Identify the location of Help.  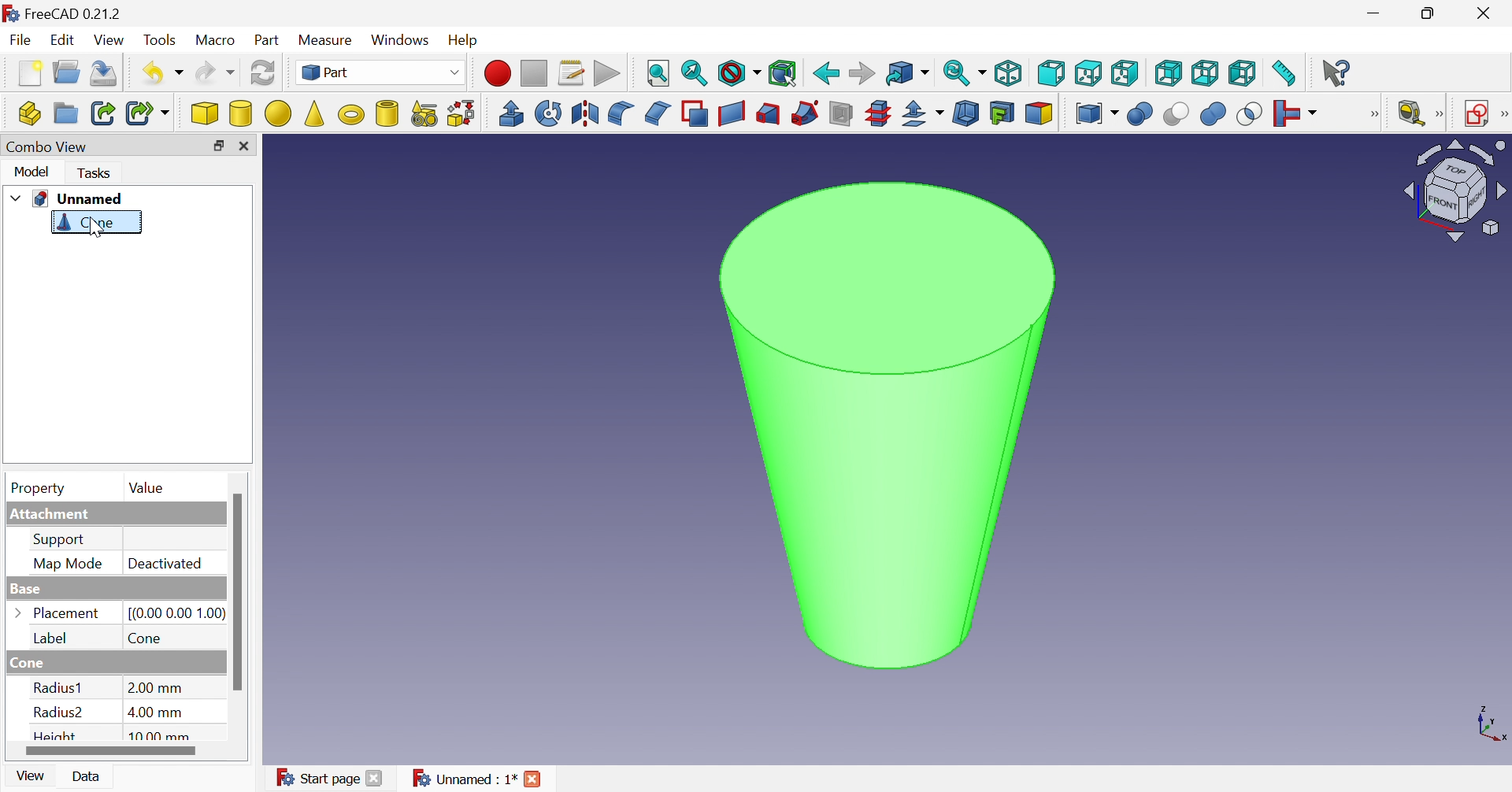
(465, 41).